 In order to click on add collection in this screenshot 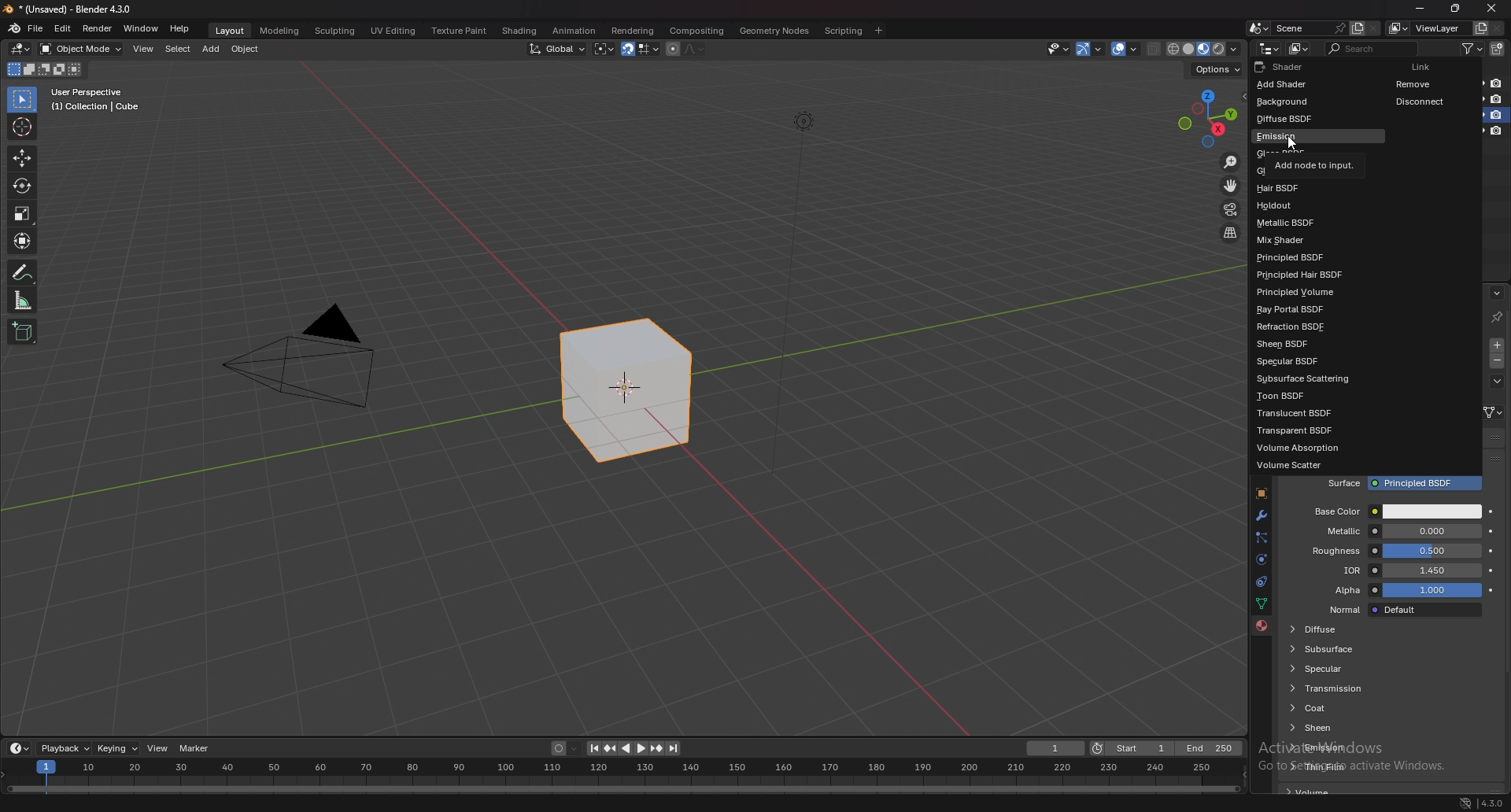, I will do `click(1498, 49)`.